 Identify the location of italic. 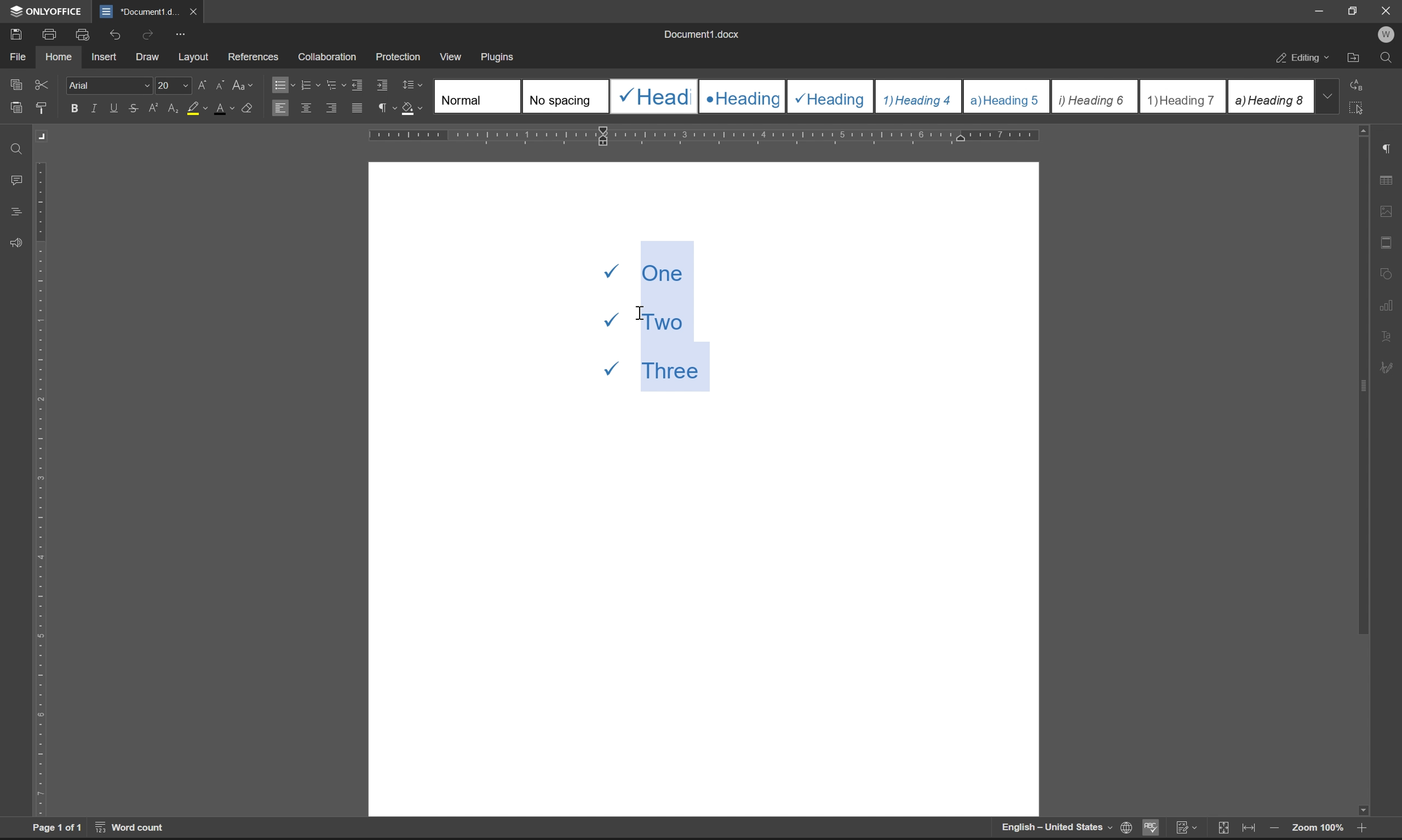
(96, 108).